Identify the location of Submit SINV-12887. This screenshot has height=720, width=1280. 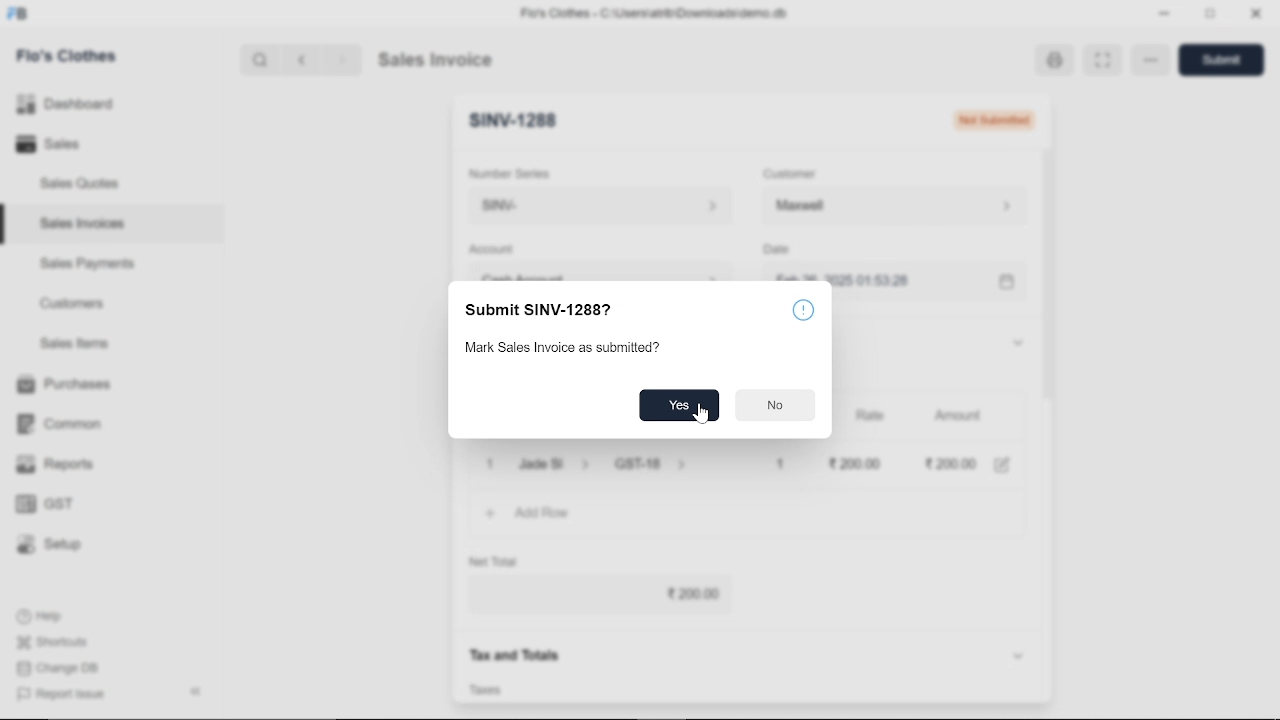
(542, 310).